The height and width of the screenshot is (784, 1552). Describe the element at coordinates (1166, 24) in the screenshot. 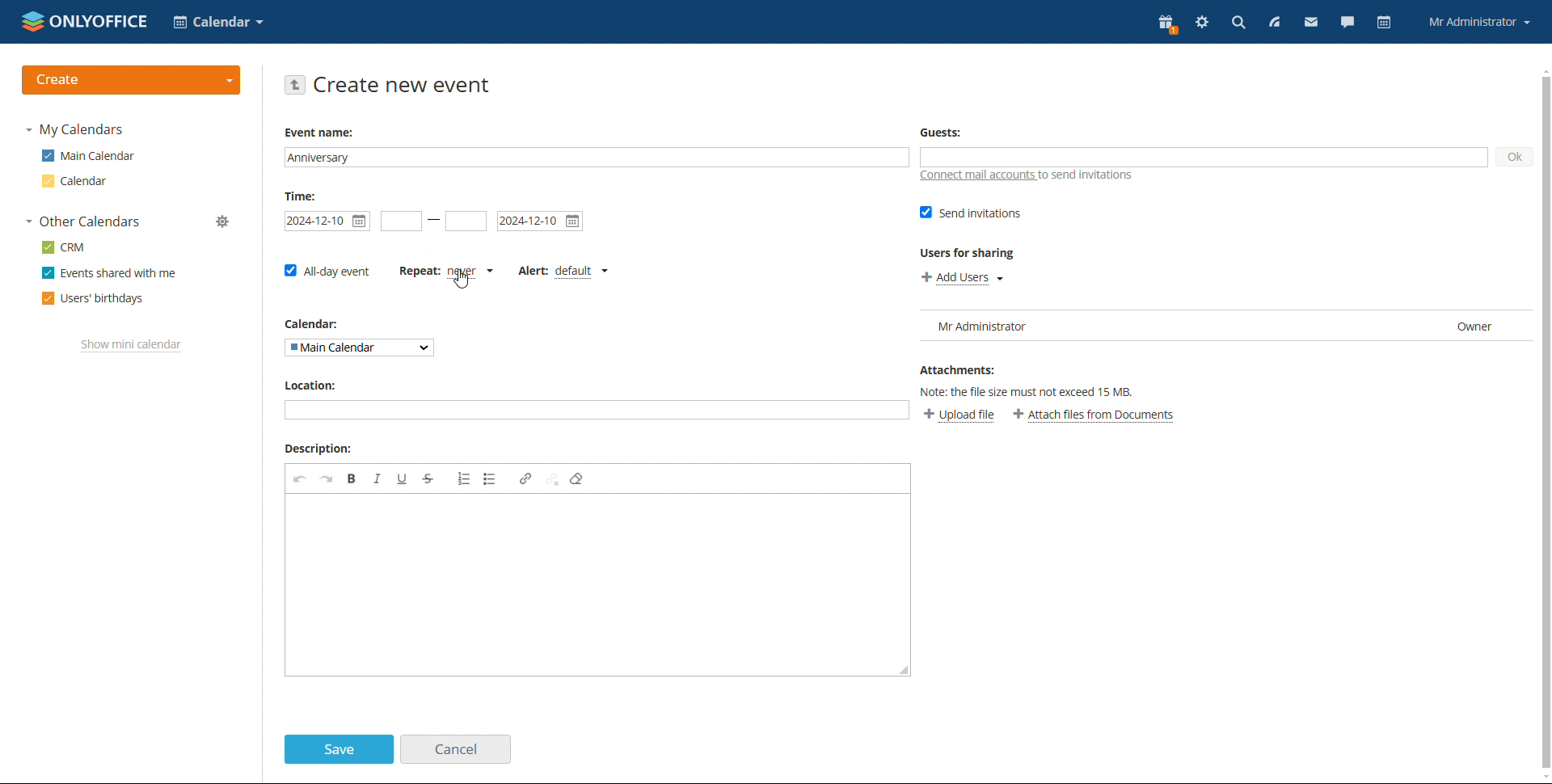

I see `present` at that location.